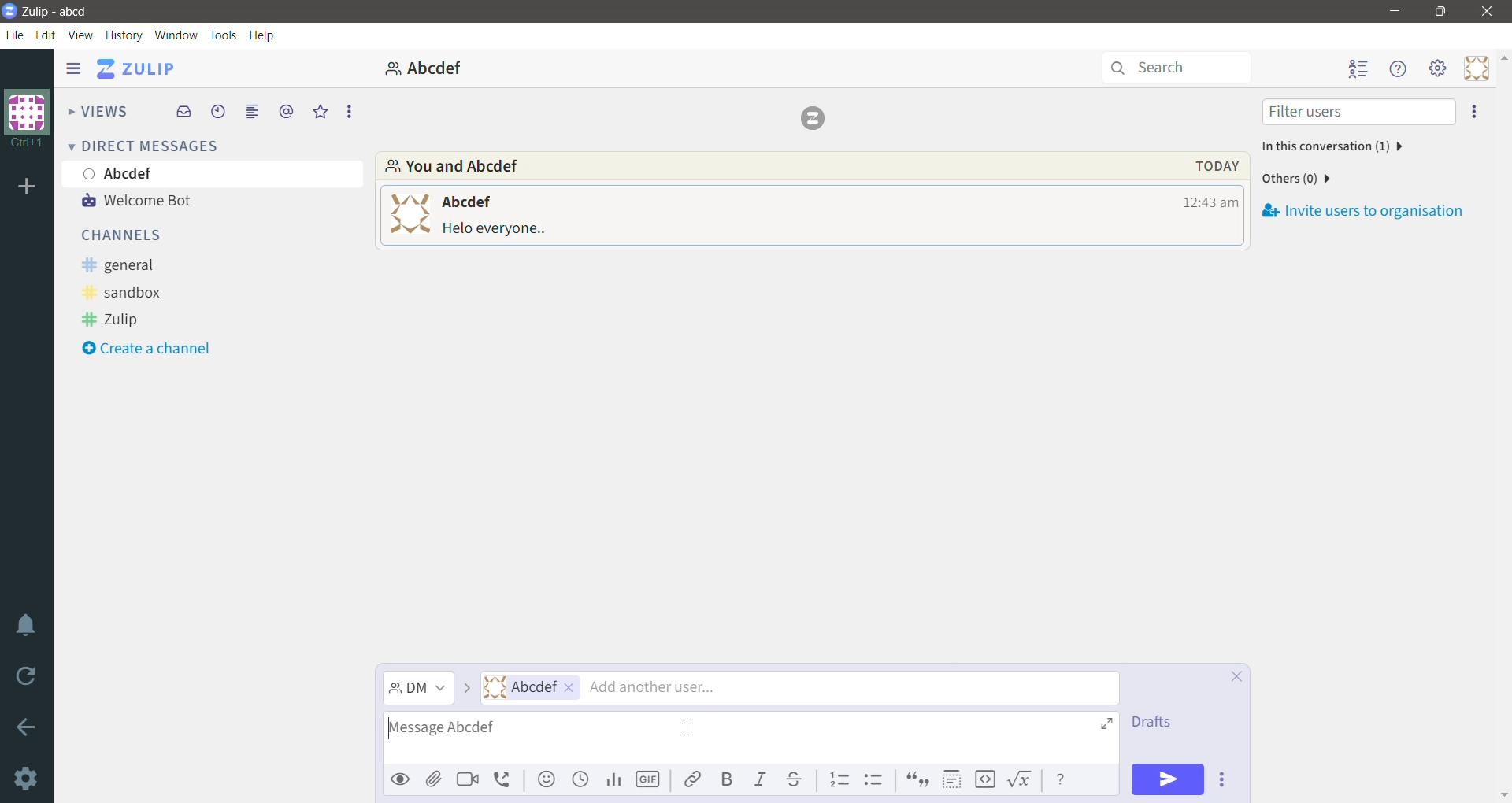 This screenshot has width=1512, height=803. What do you see at coordinates (1443, 12) in the screenshot?
I see `Restore Down` at bounding box center [1443, 12].